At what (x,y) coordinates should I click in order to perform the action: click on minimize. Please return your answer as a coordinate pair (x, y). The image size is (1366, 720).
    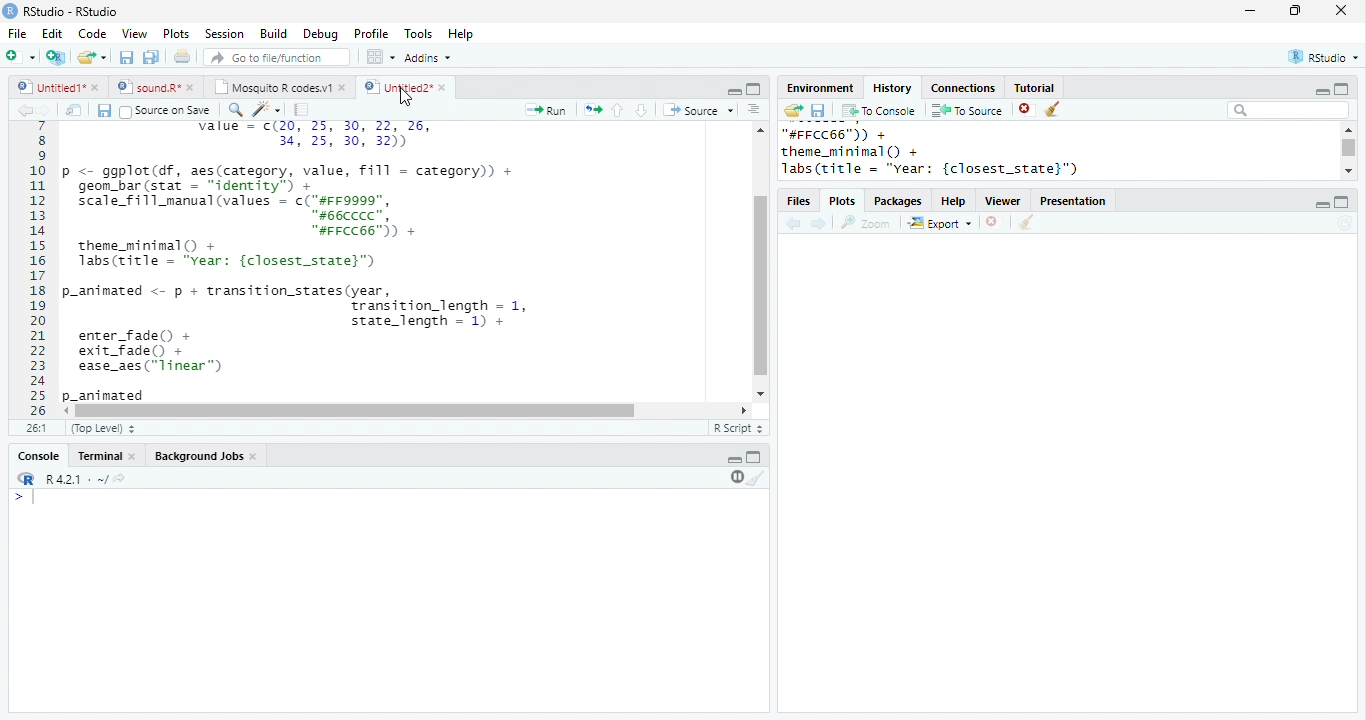
    Looking at the image, I should click on (1321, 91).